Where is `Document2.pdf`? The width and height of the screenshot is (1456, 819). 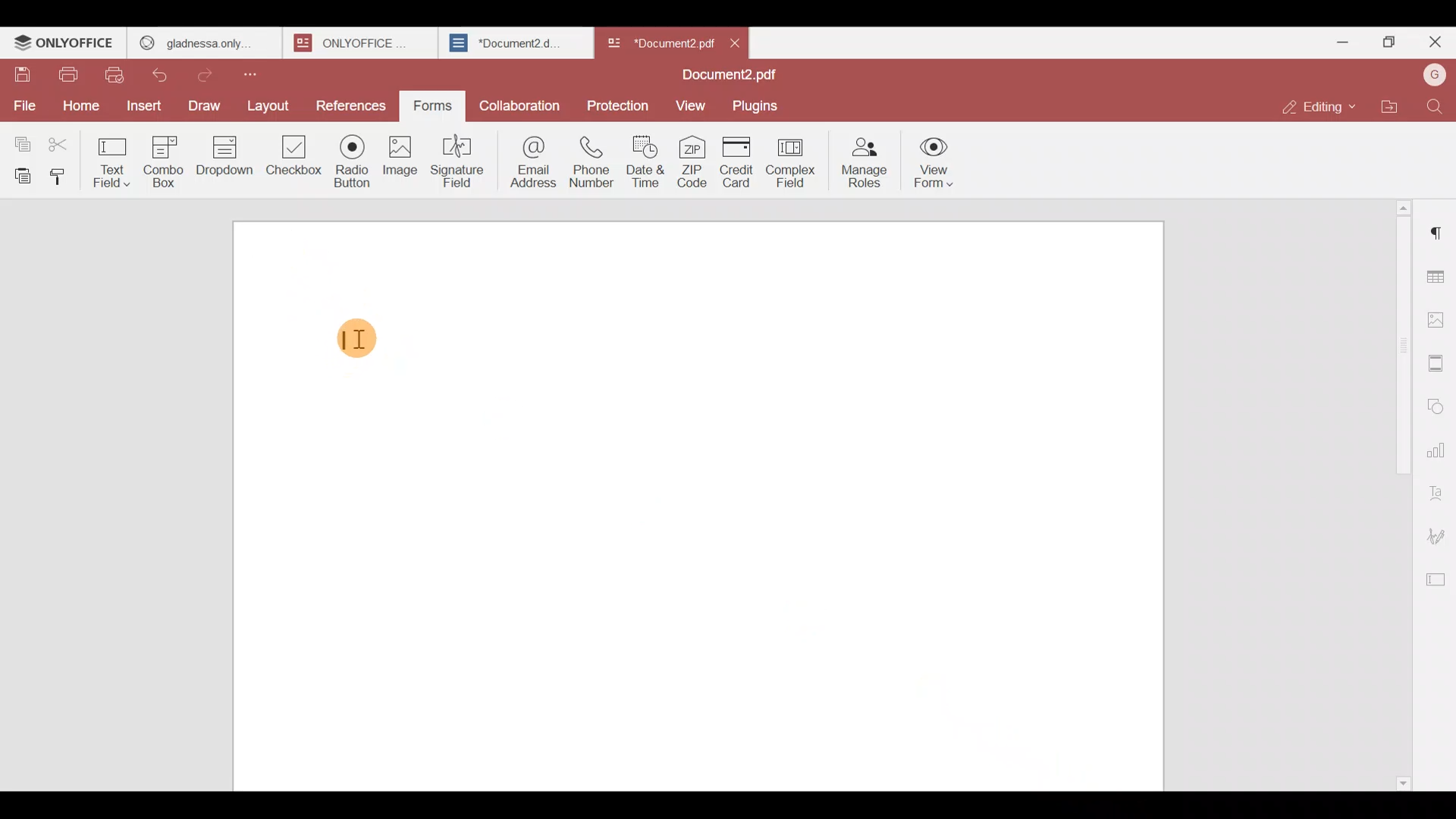 Document2.pdf is located at coordinates (724, 76).